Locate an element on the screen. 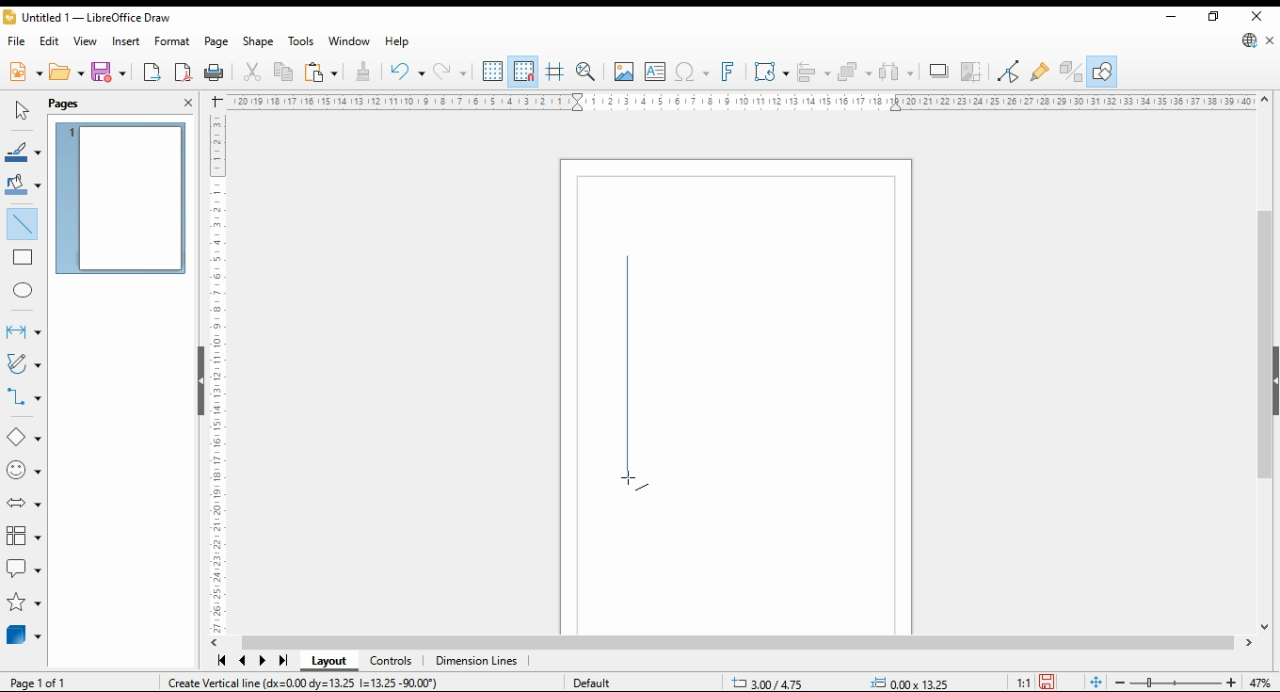 This screenshot has height=692, width=1280. format is located at coordinates (172, 40).